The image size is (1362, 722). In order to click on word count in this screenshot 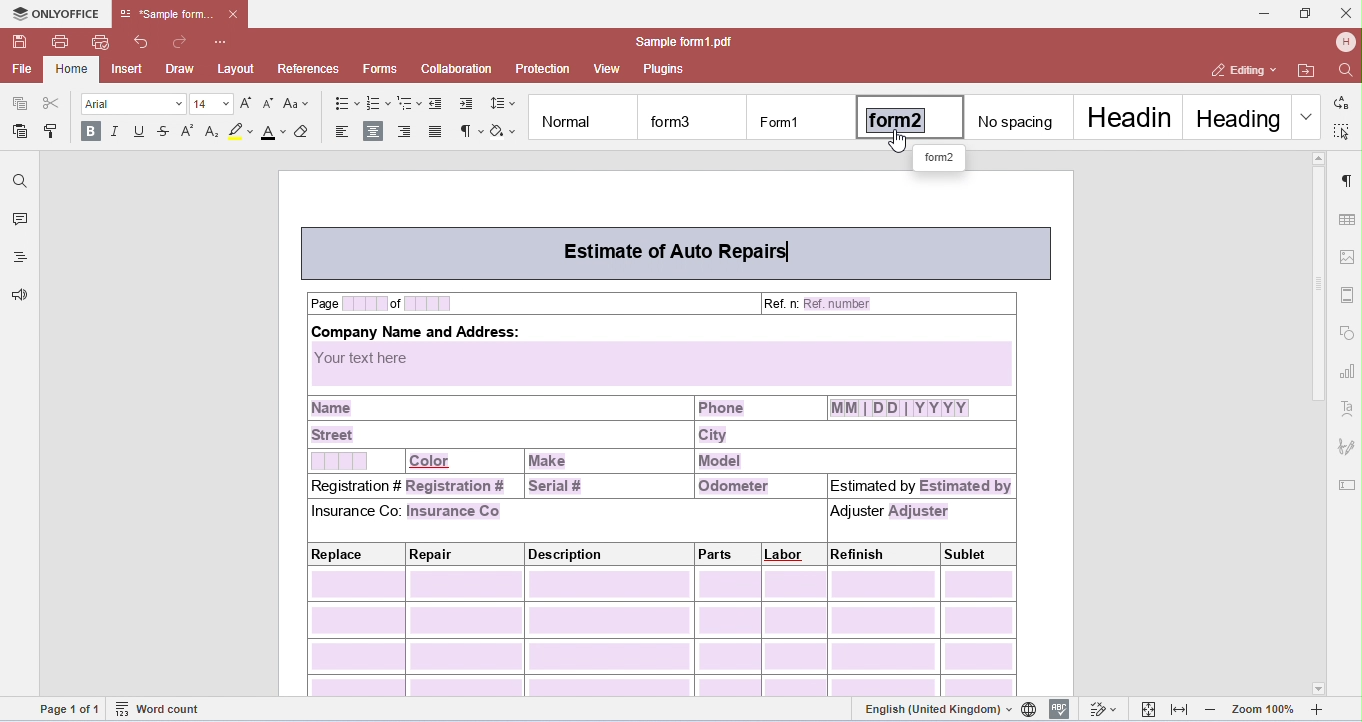, I will do `click(163, 710)`.